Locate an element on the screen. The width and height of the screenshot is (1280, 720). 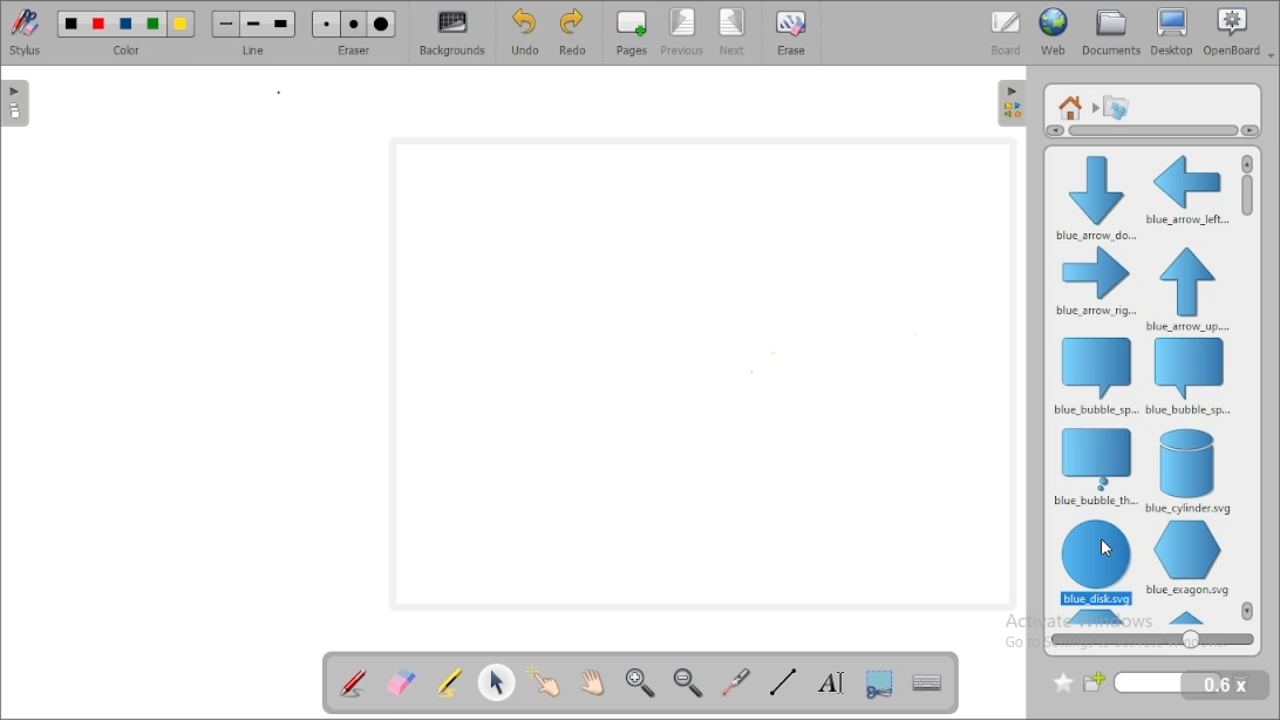
blue arrow right is located at coordinates (1096, 283).